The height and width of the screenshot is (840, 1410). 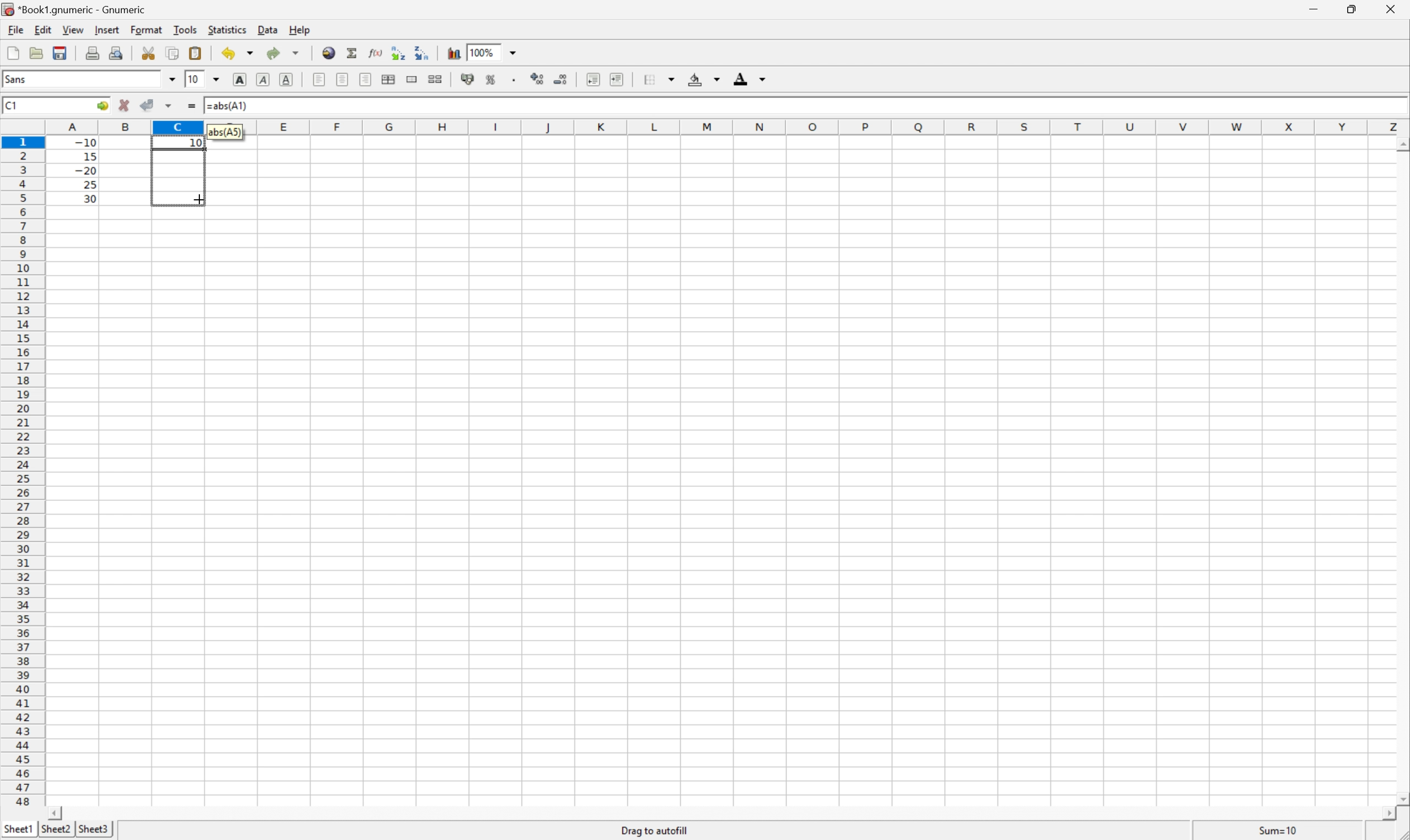 What do you see at coordinates (435, 78) in the screenshot?
I see `split merged ranges of cells` at bounding box center [435, 78].